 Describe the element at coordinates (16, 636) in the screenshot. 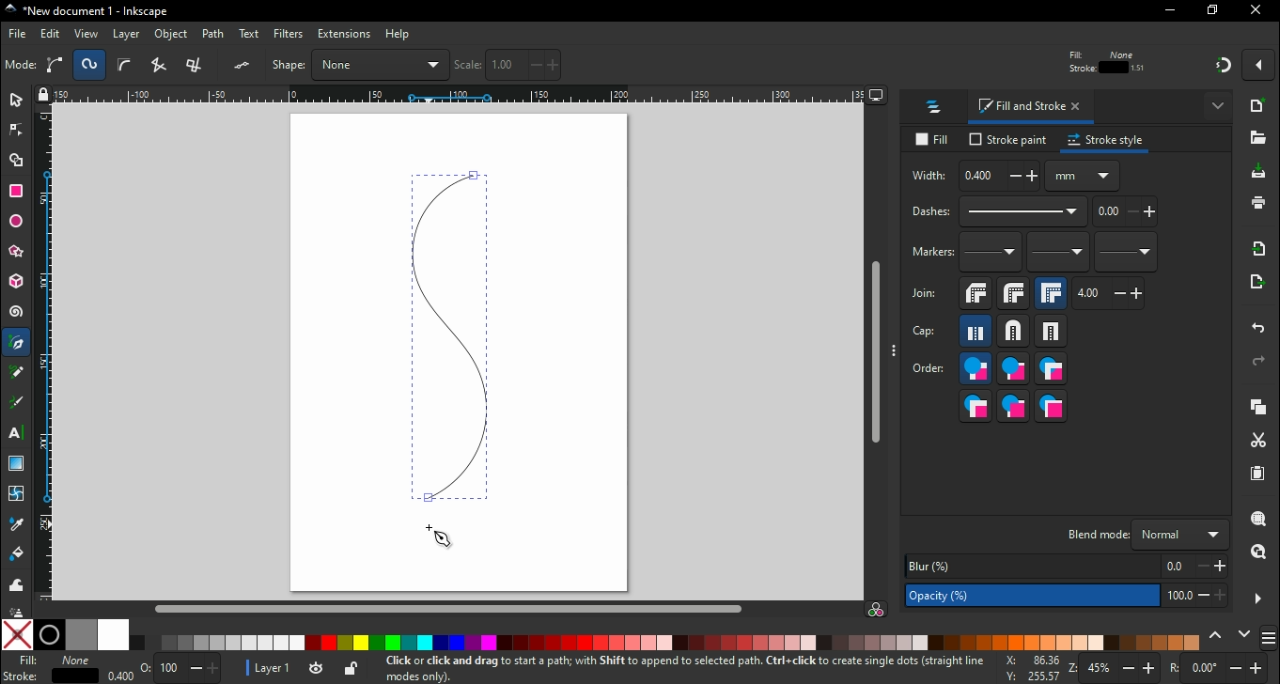

I see `none` at that location.